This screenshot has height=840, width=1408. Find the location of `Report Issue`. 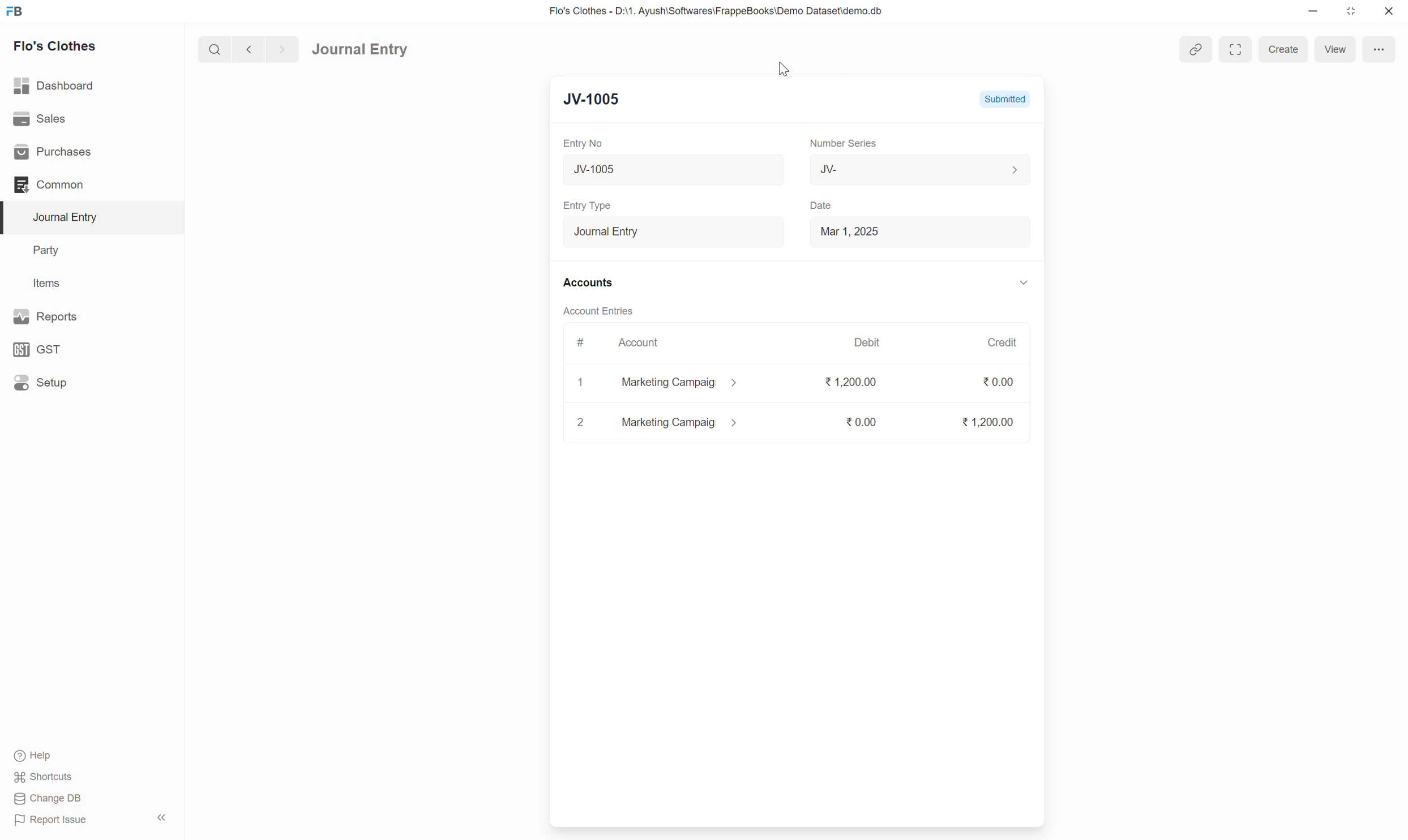

Report Issue is located at coordinates (55, 821).